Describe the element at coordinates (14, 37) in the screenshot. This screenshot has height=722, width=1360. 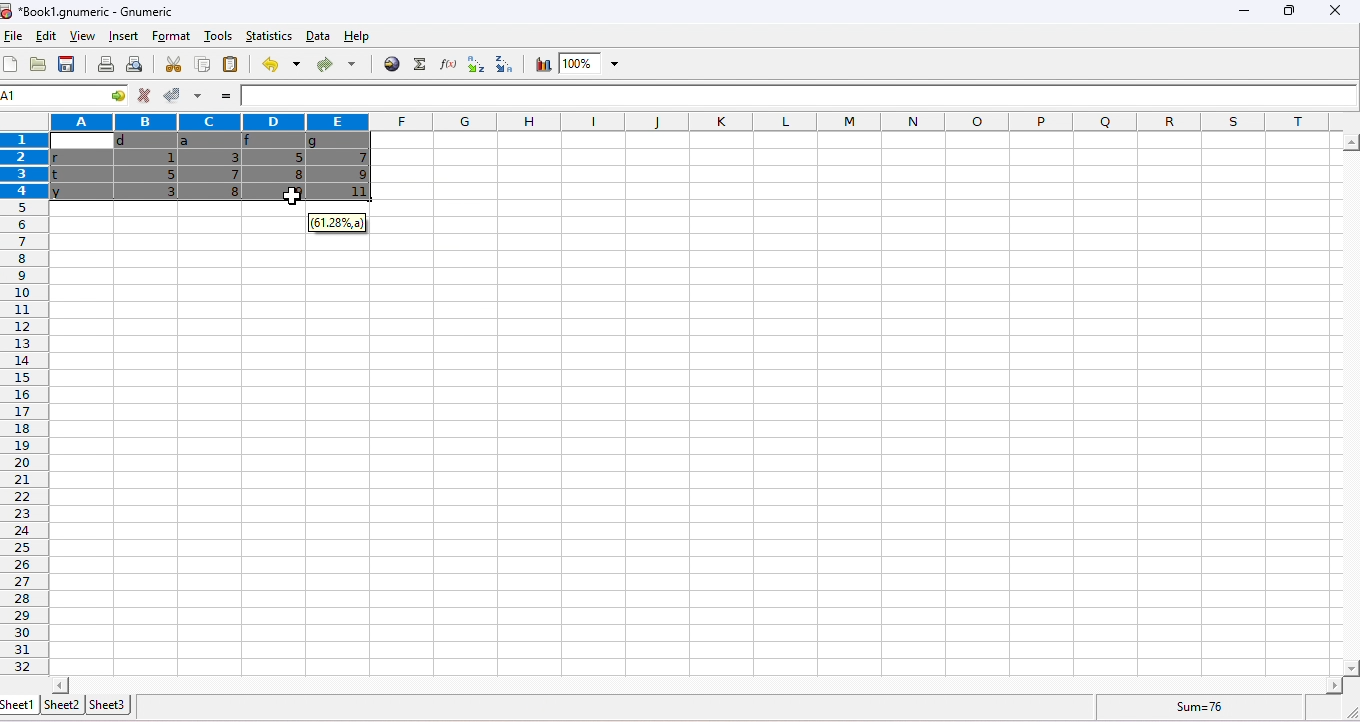
I see `file` at that location.